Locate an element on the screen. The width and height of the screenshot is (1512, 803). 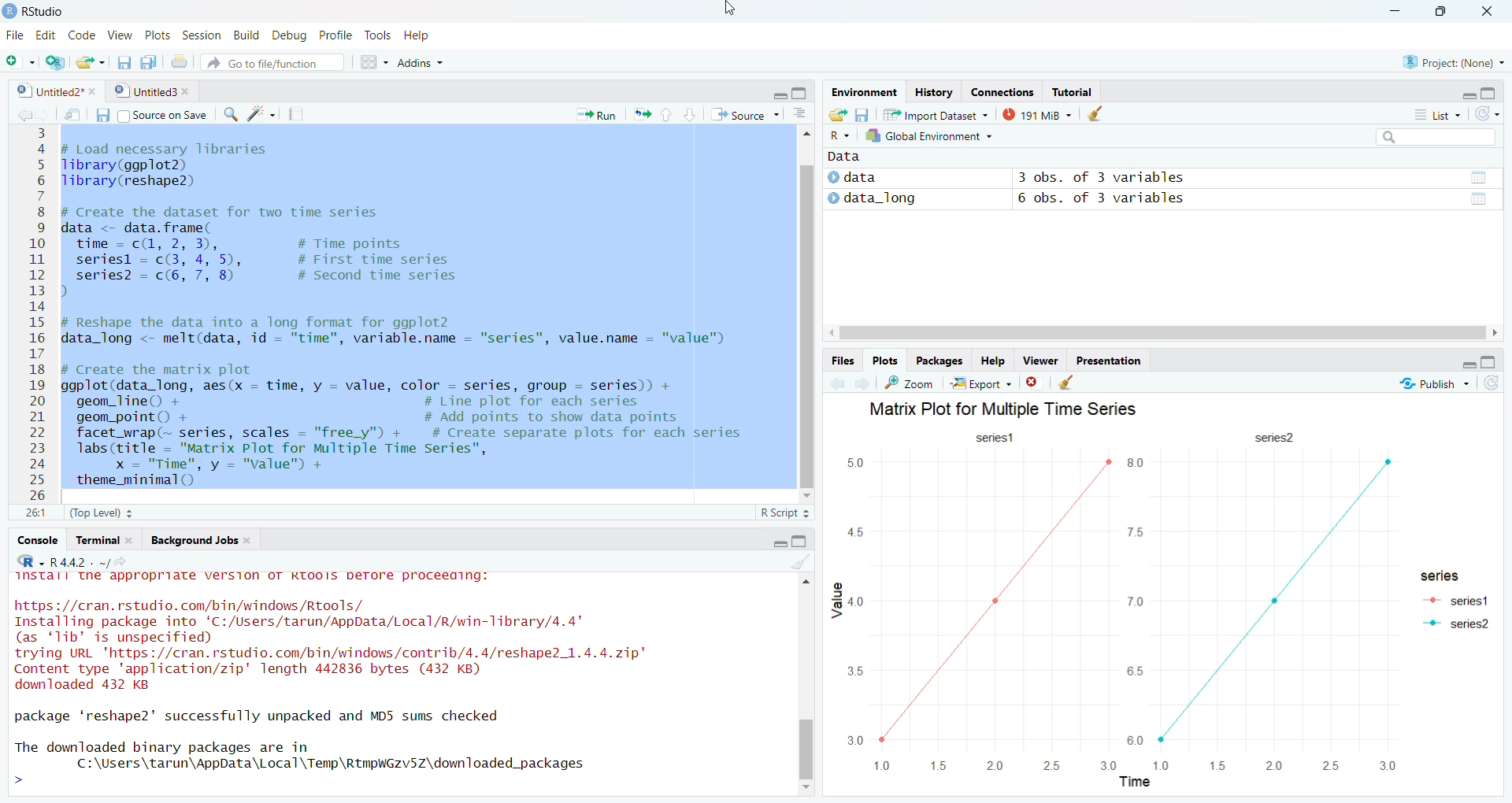
code tools is located at coordinates (261, 114).